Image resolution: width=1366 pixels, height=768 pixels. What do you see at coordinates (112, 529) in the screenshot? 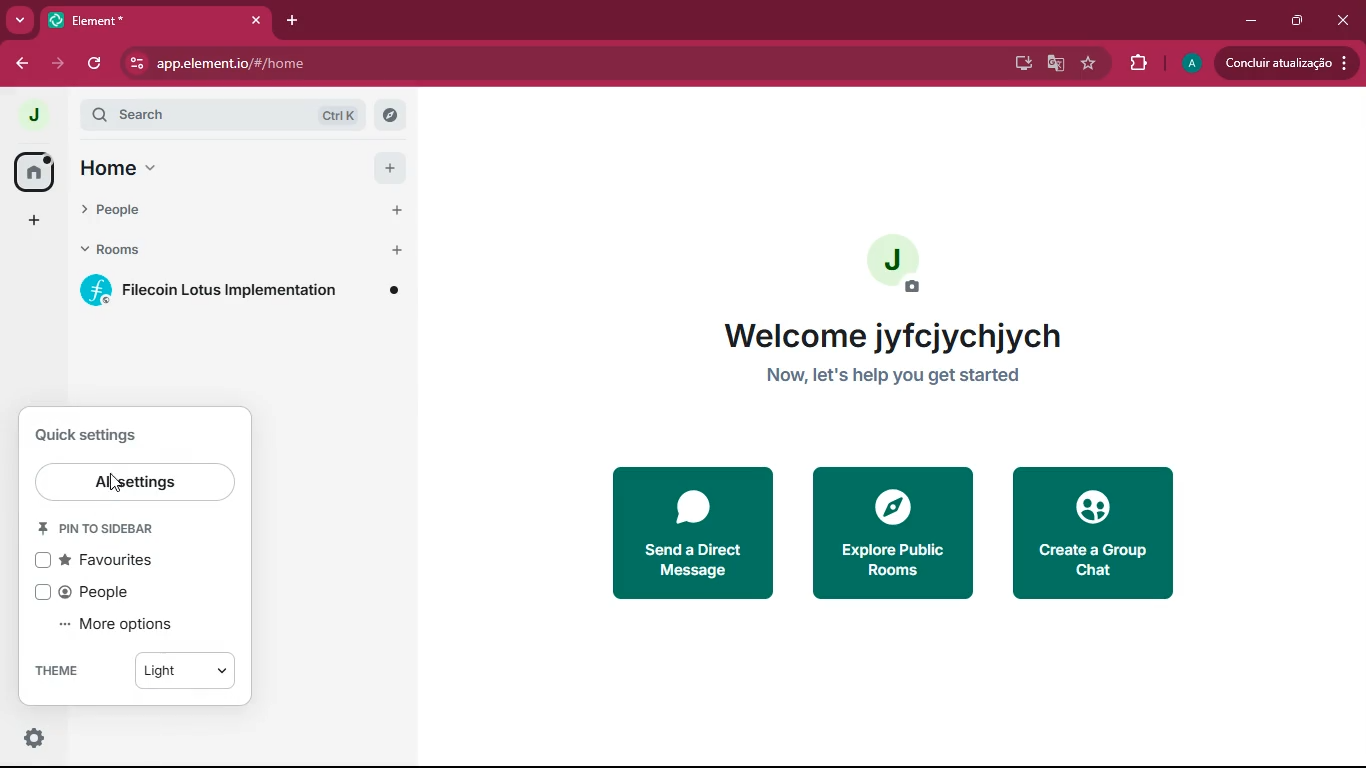
I see `pin to sidebar` at bounding box center [112, 529].